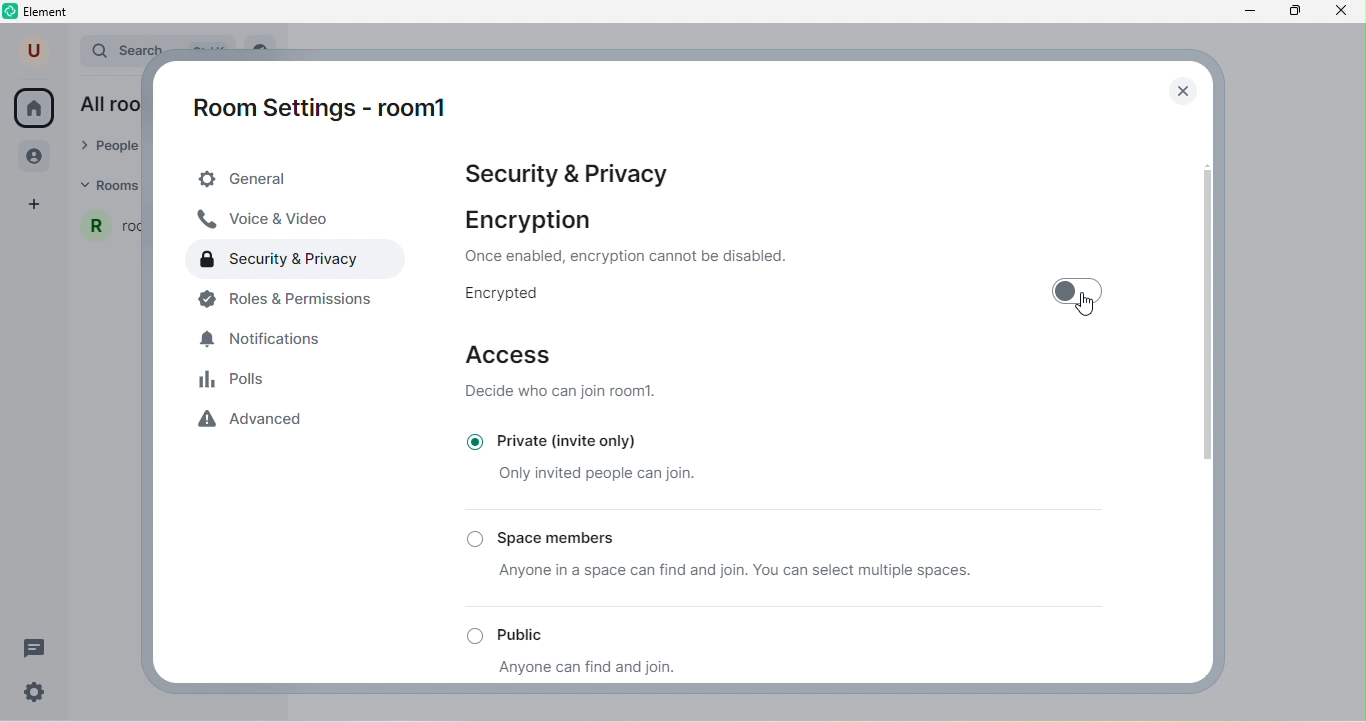 The width and height of the screenshot is (1366, 722). What do you see at coordinates (517, 354) in the screenshot?
I see `access` at bounding box center [517, 354].